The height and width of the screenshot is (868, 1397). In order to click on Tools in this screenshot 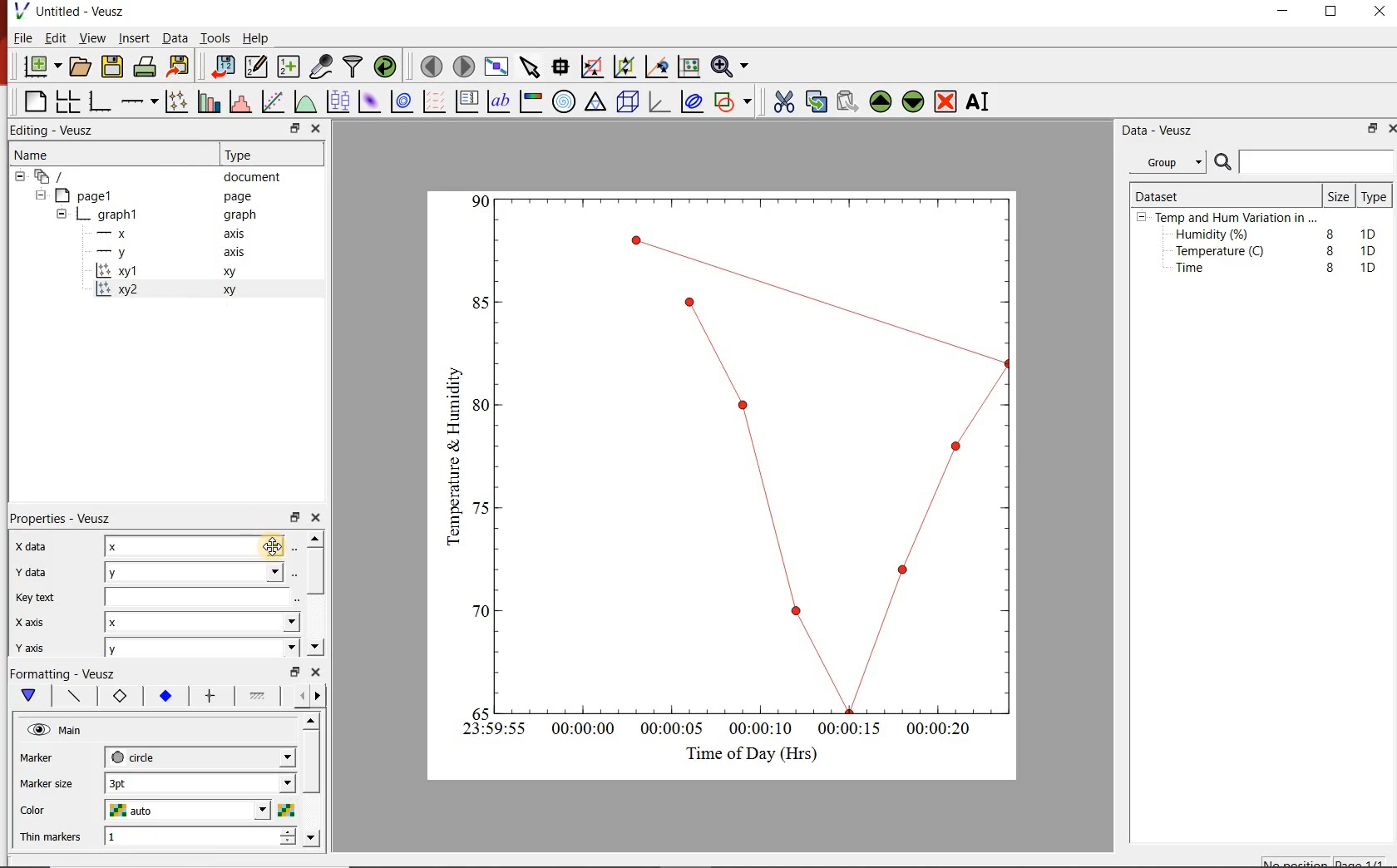, I will do `click(214, 38)`.